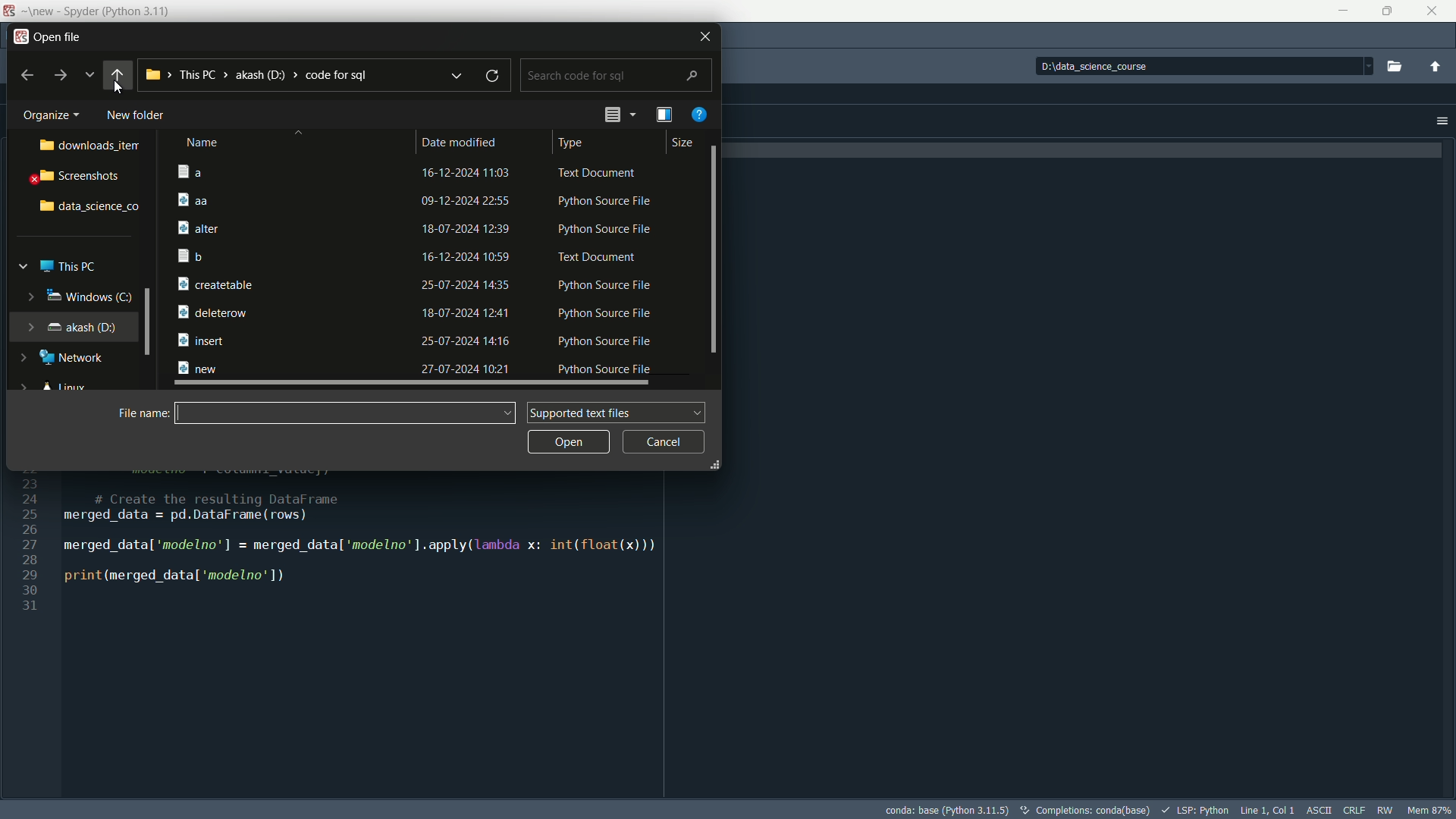 This screenshot has height=819, width=1456. Describe the element at coordinates (1108, 70) in the screenshot. I see `D:\data_science_course` at that location.